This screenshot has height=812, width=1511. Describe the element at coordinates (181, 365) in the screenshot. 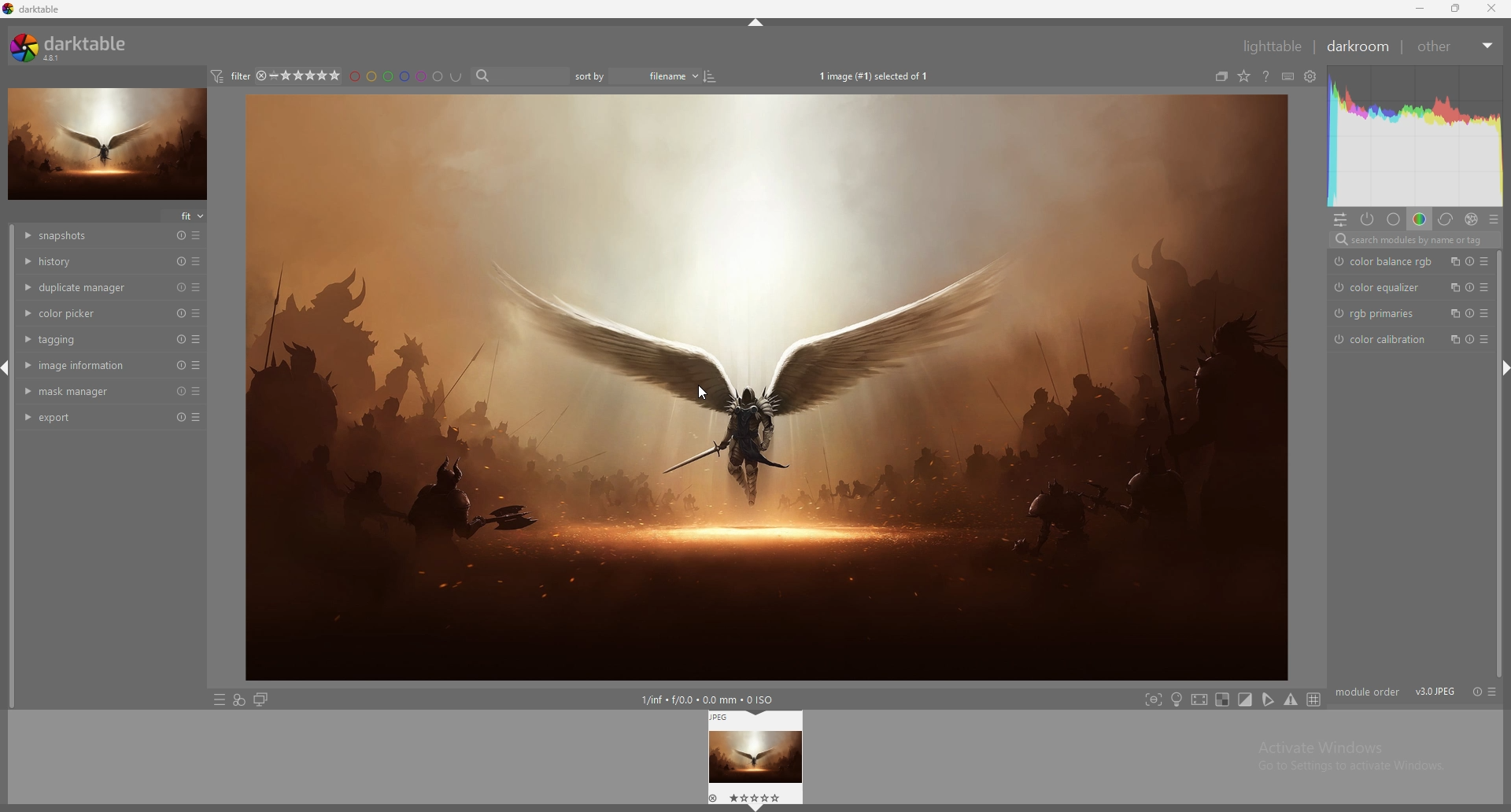

I see `reset` at that location.